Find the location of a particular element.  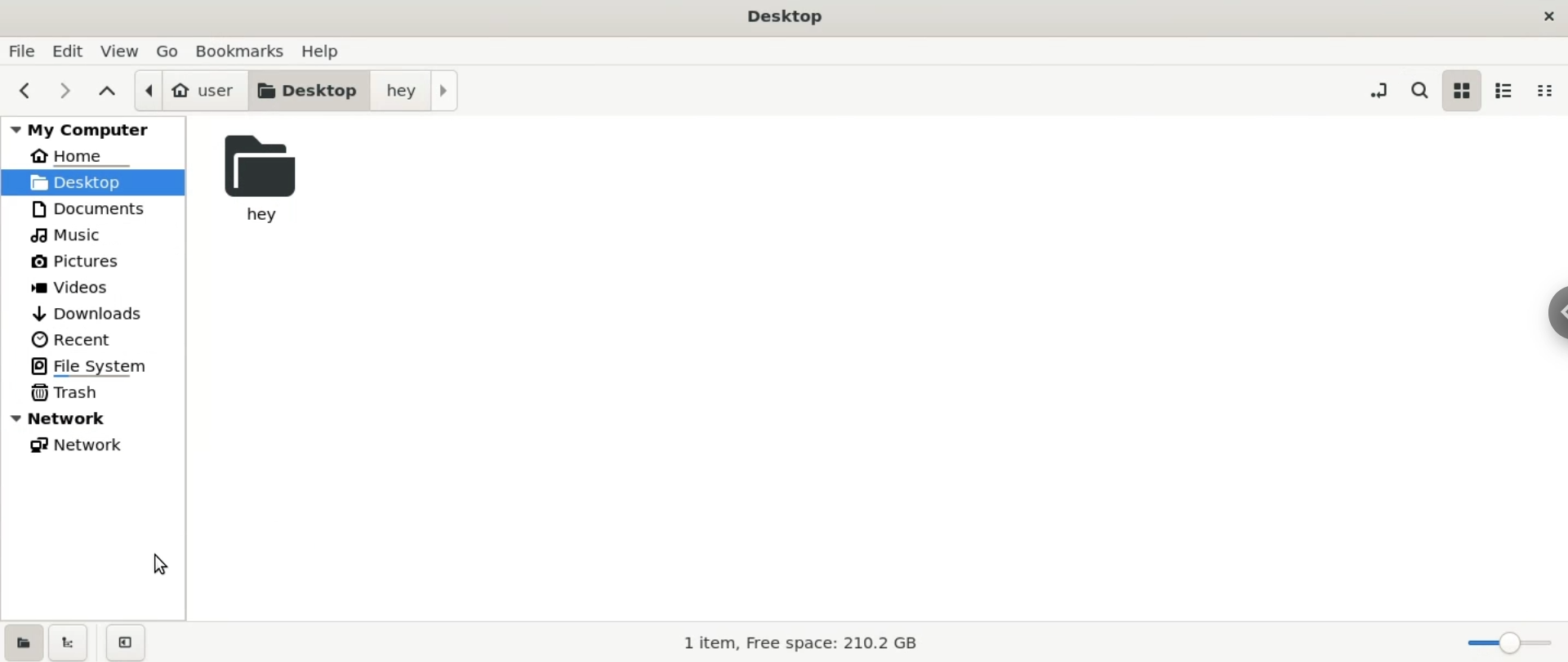

my computer is located at coordinates (95, 130).